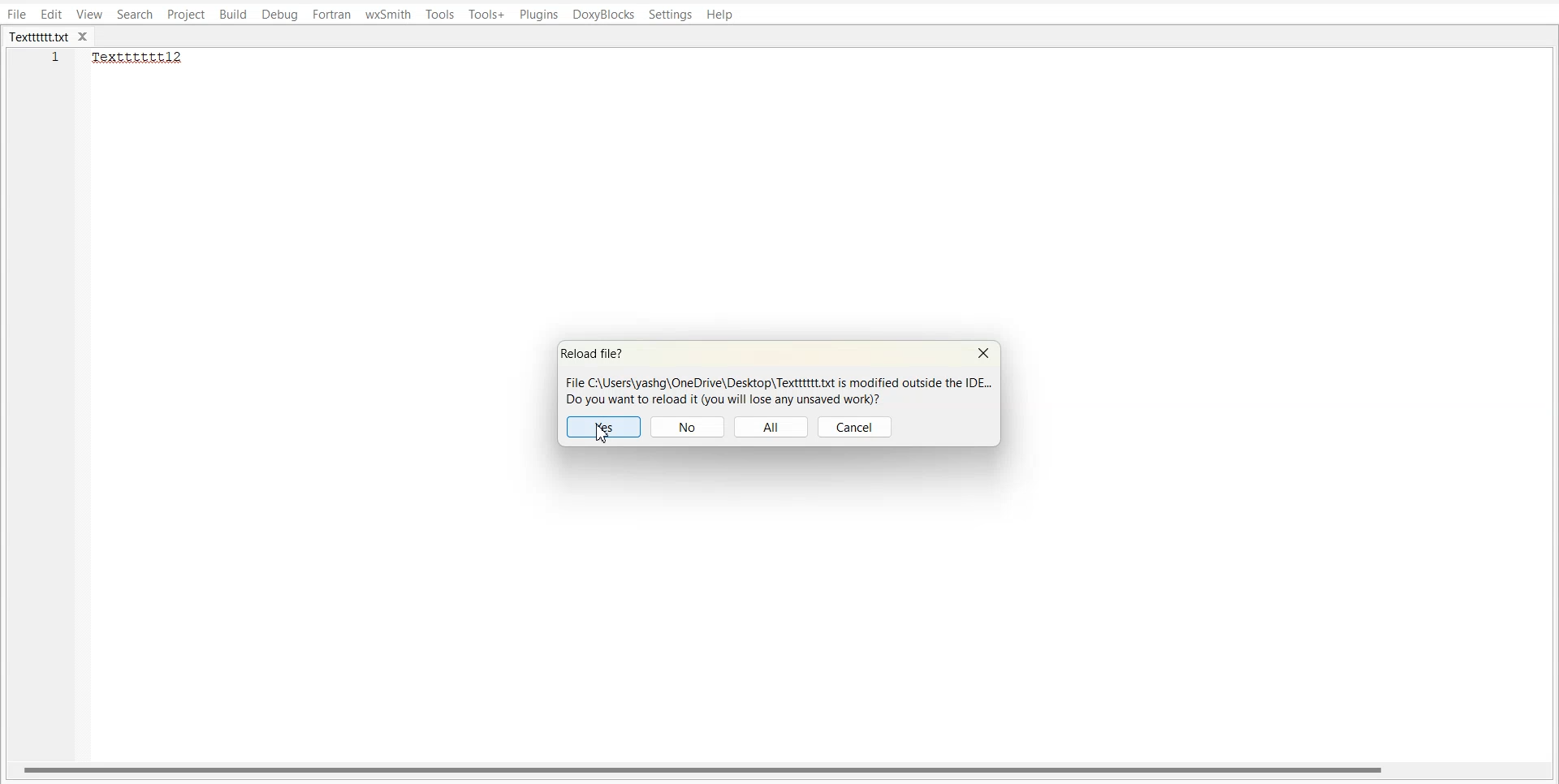 This screenshot has width=1559, height=784. What do you see at coordinates (688, 427) in the screenshot?
I see `No` at bounding box center [688, 427].